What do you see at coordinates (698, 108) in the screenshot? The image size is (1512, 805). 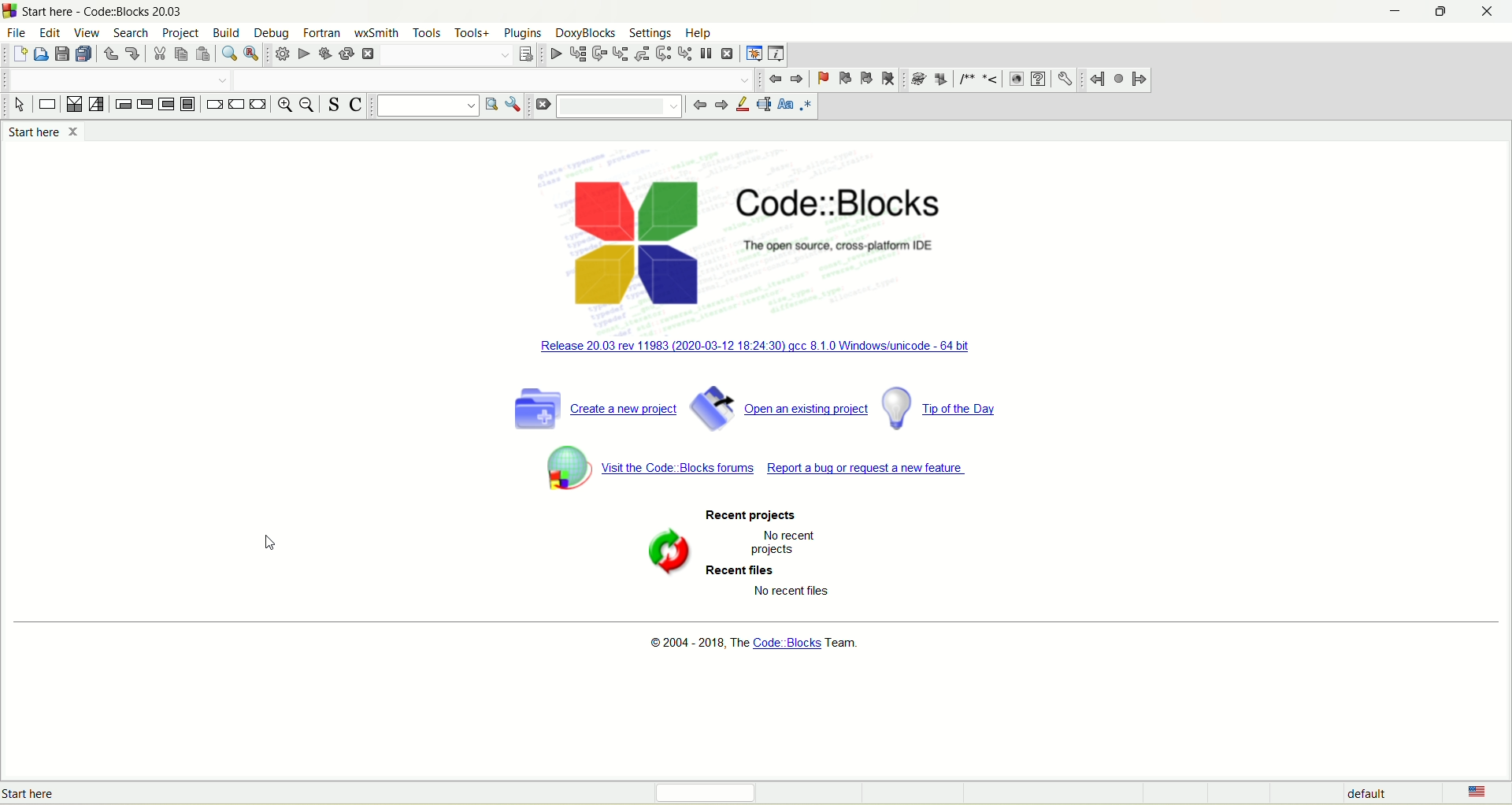 I see `back` at bounding box center [698, 108].